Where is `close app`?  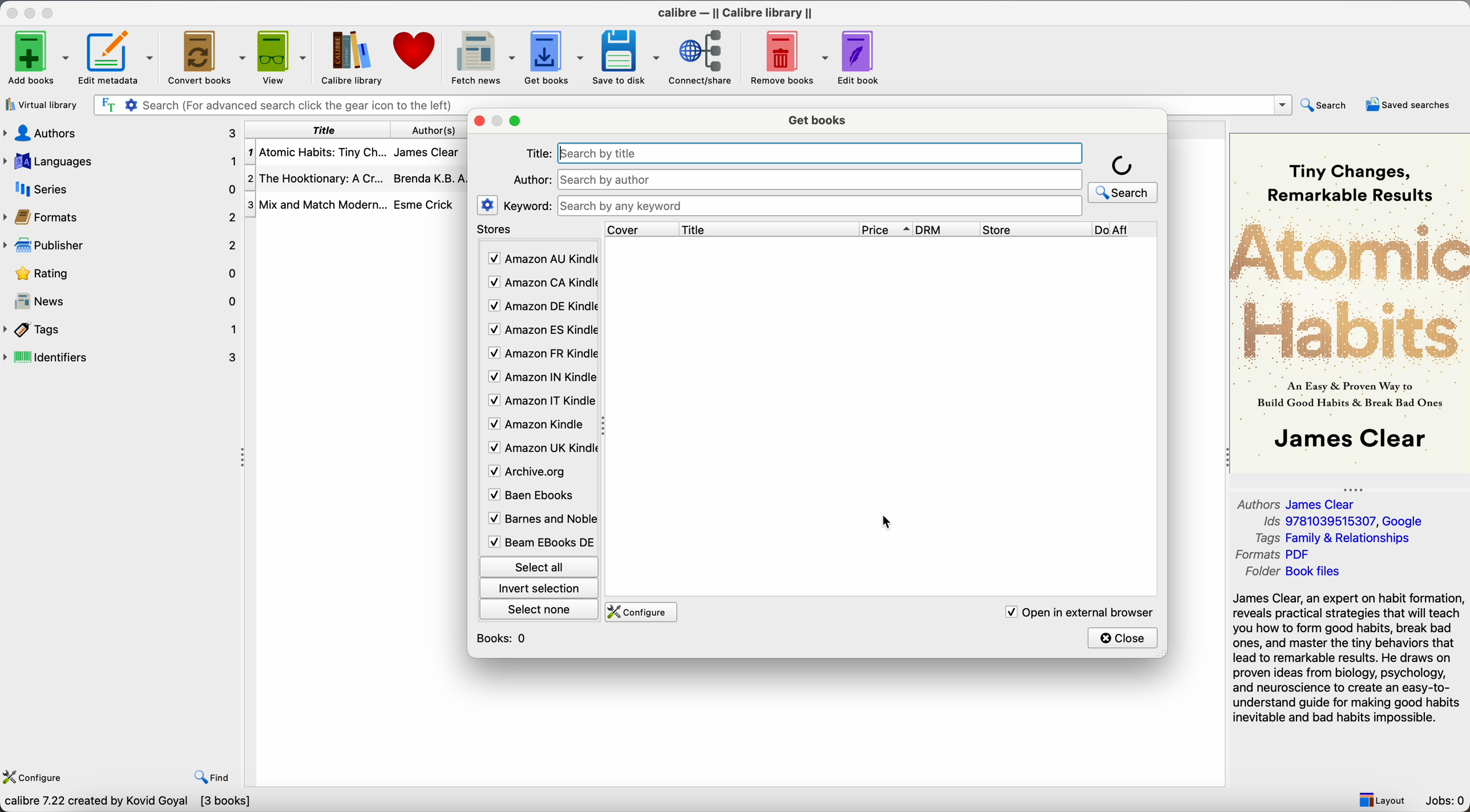 close app is located at coordinates (11, 12).